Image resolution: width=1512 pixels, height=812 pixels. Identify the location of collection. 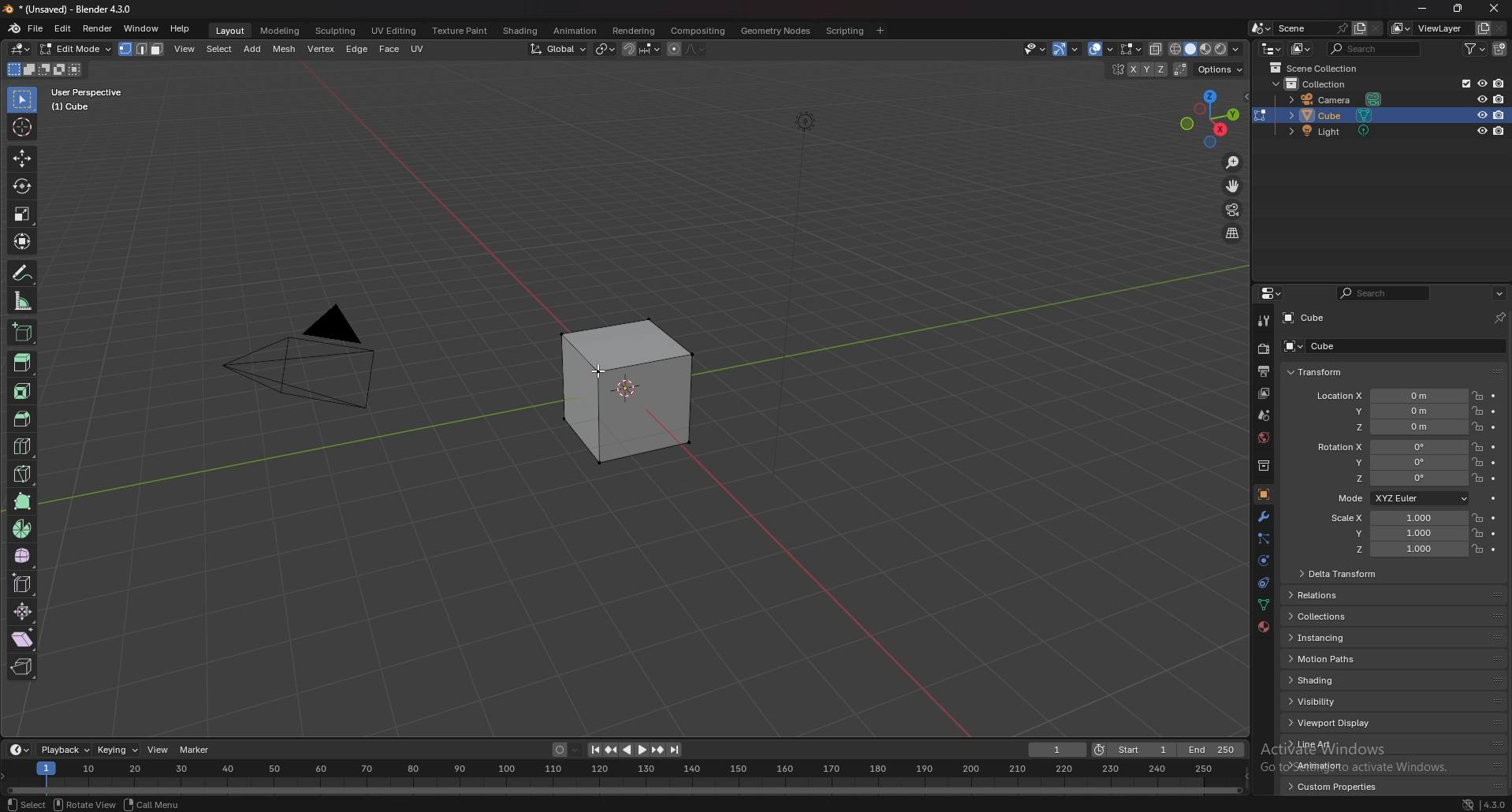
(1264, 466).